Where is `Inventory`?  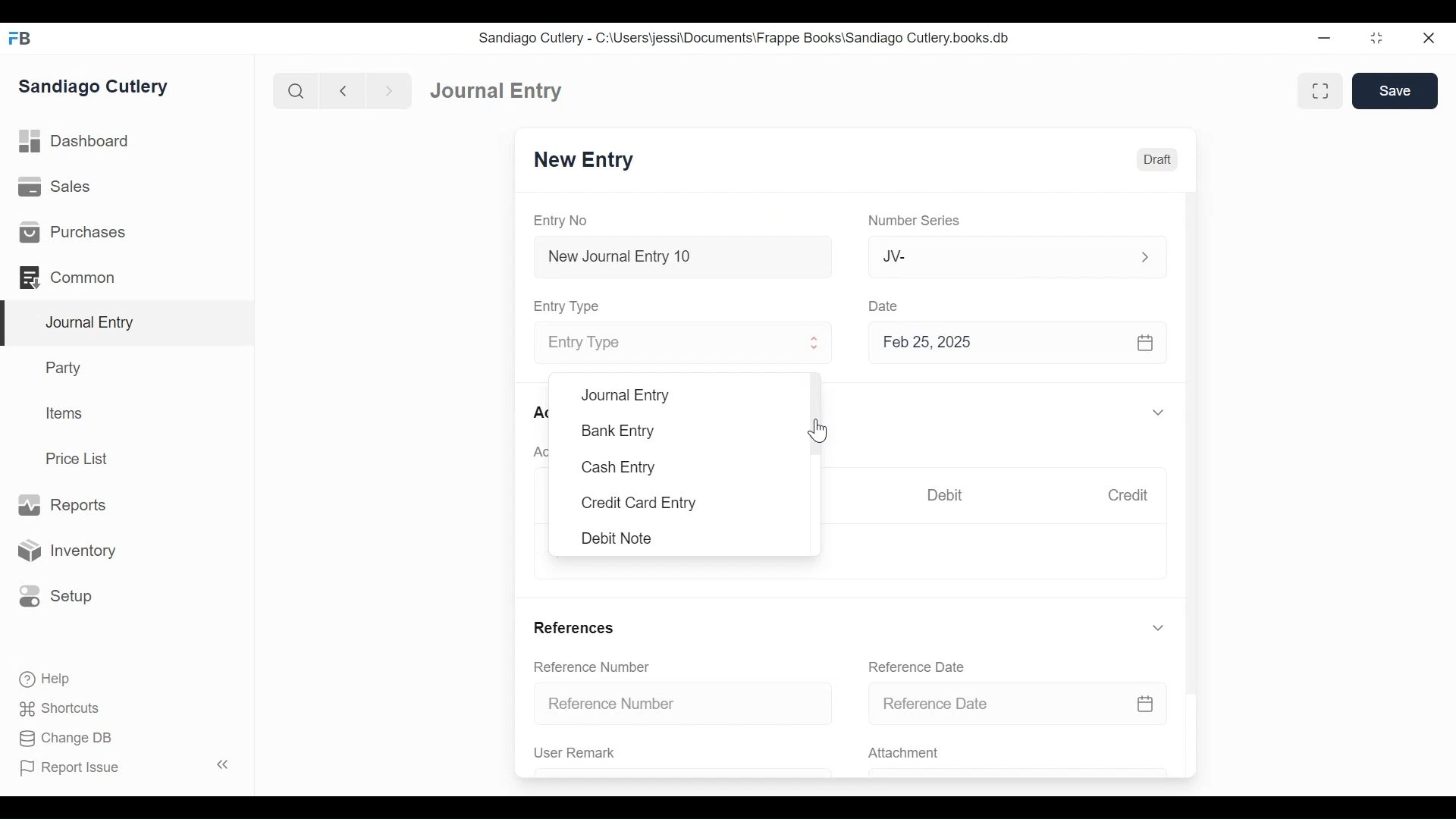
Inventory is located at coordinates (71, 550).